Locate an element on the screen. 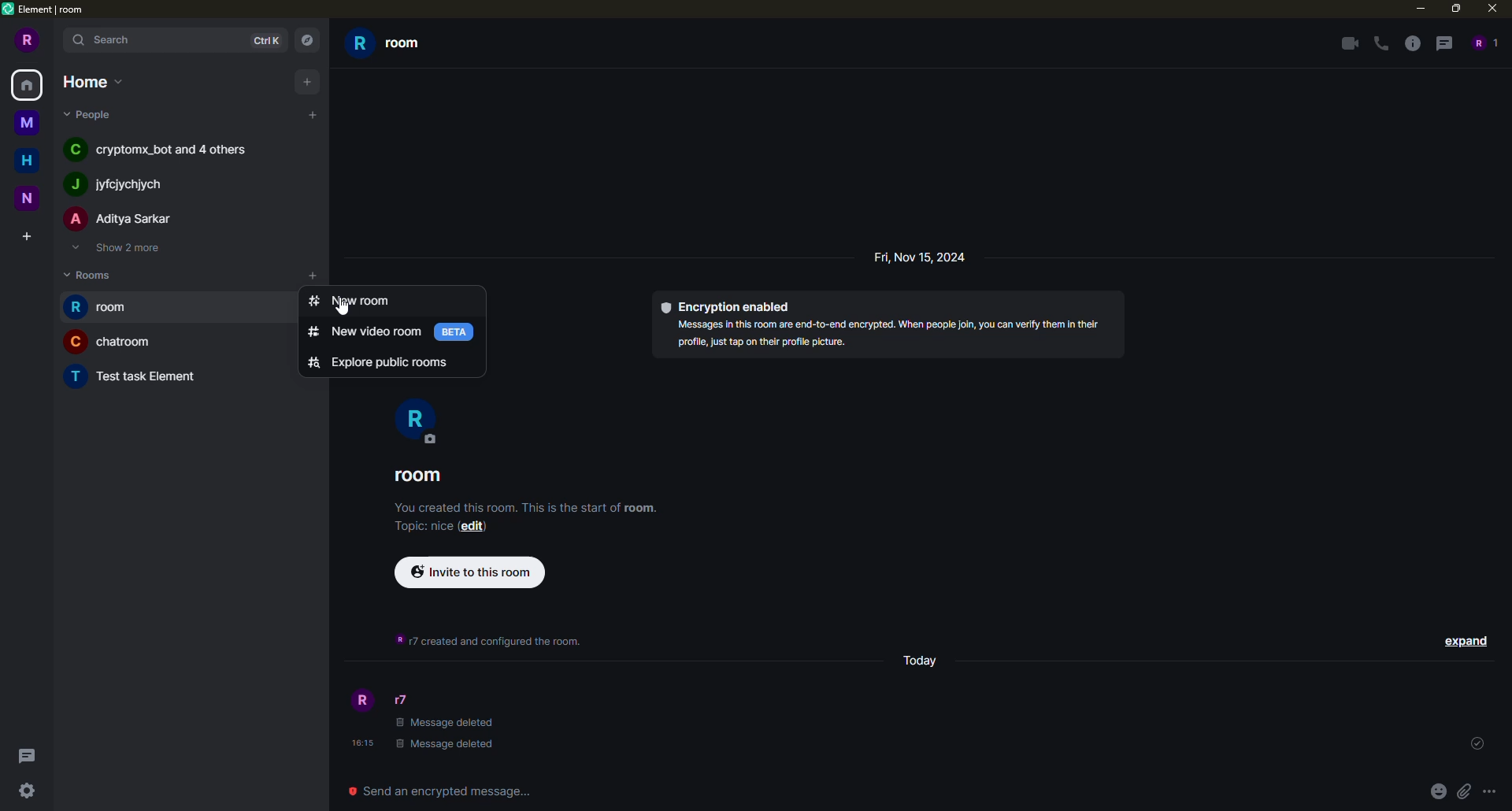 This screenshot has width=1512, height=811. invite to this room is located at coordinates (470, 570).